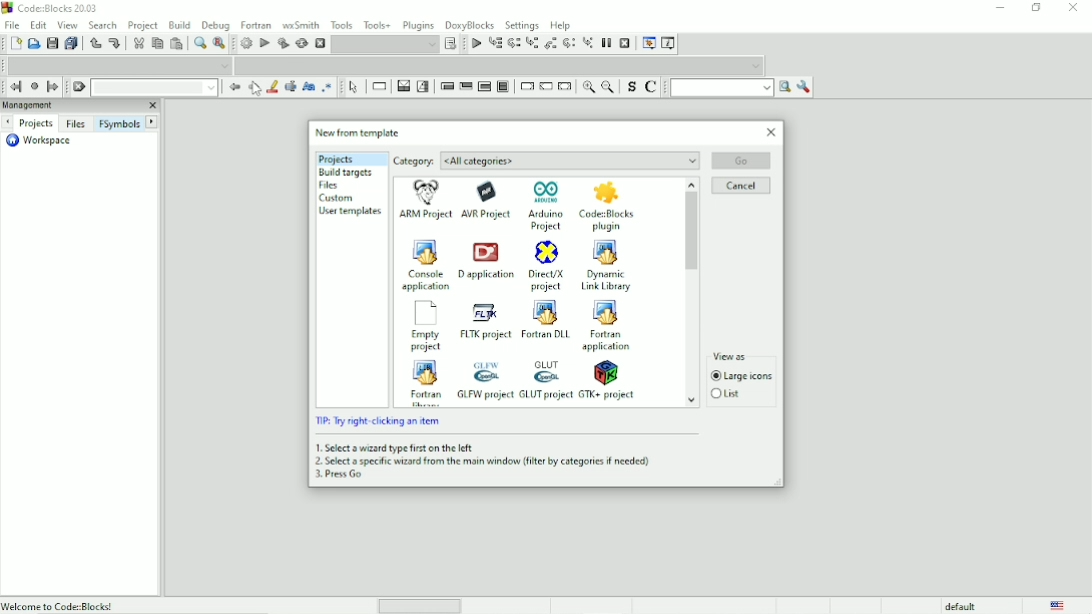 This screenshot has height=614, width=1092. Describe the element at coordinates (341, 24) in the screenshot. I see `Tools` at that location.